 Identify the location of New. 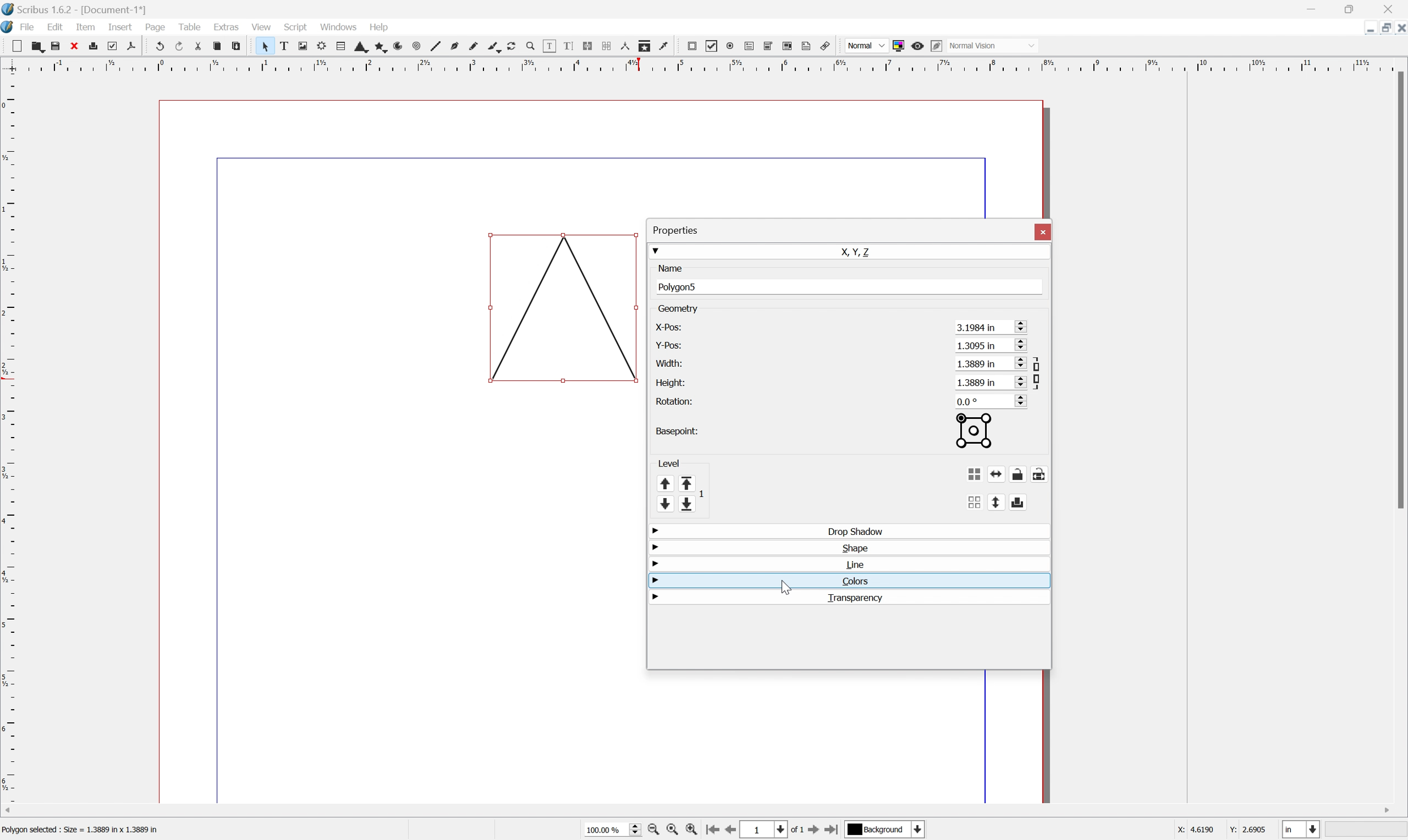
(16, 46).